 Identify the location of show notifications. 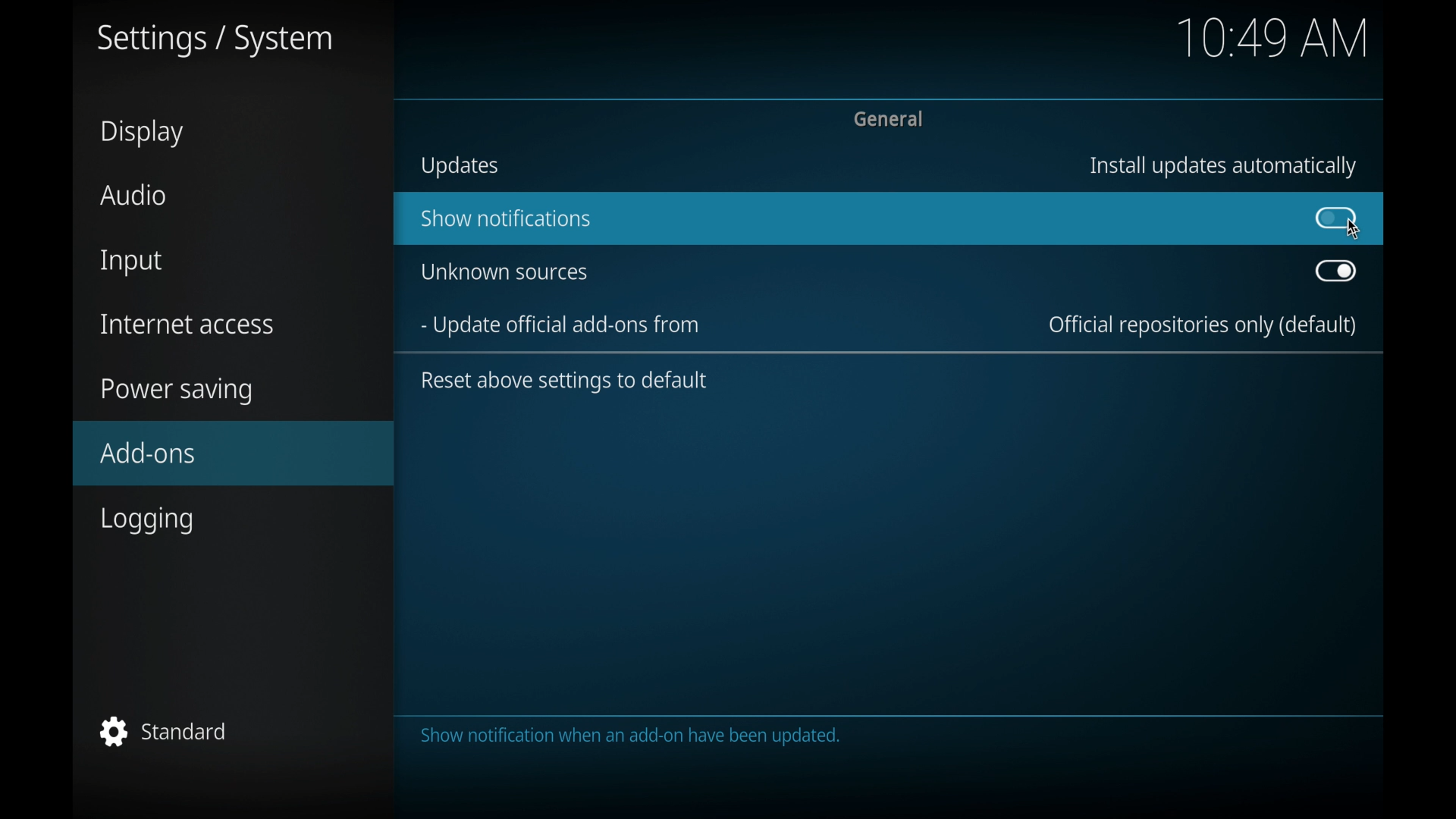
(504, 218).